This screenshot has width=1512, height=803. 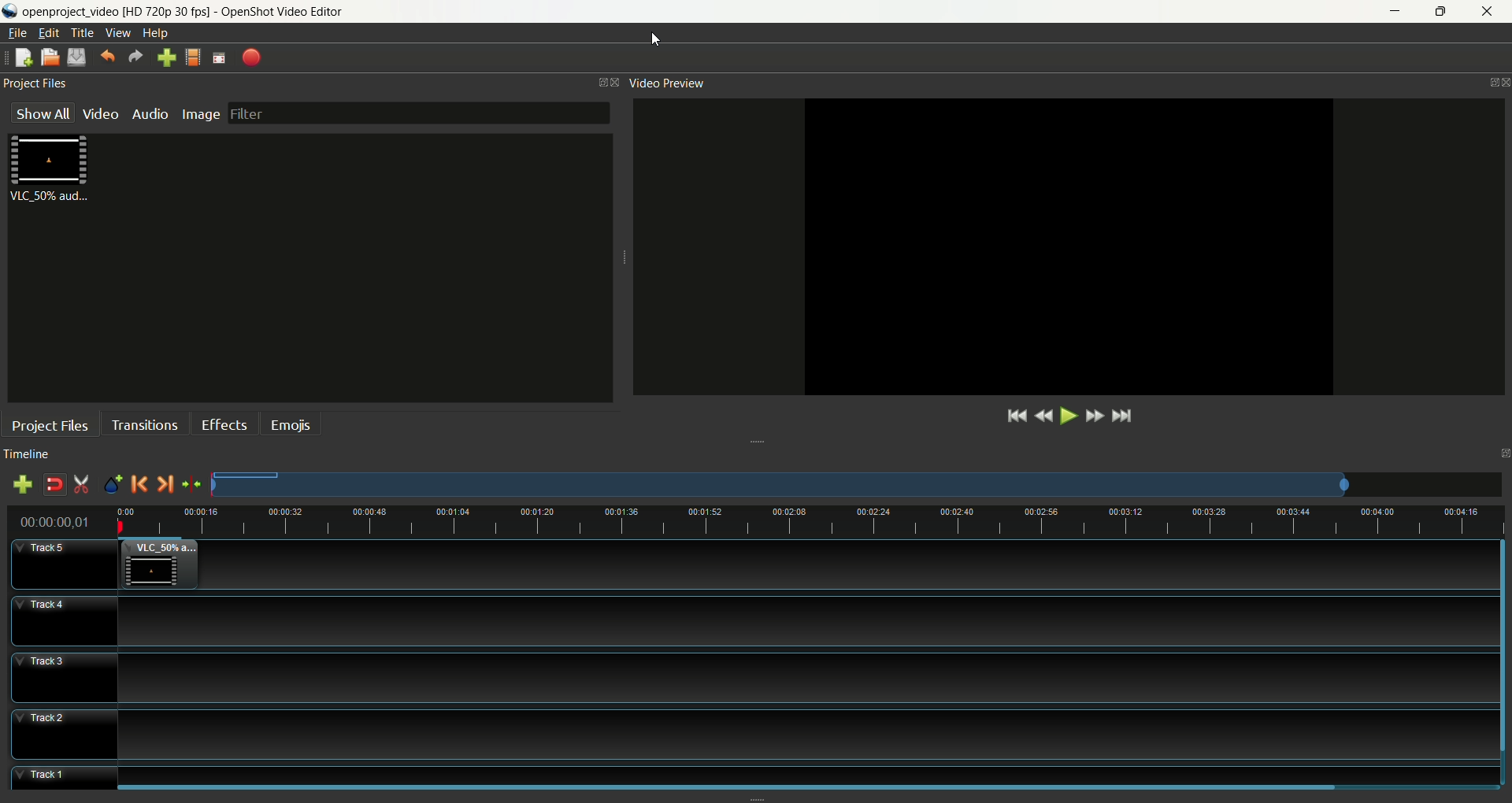 I want to click on maximize, so click(x=593, y=83).